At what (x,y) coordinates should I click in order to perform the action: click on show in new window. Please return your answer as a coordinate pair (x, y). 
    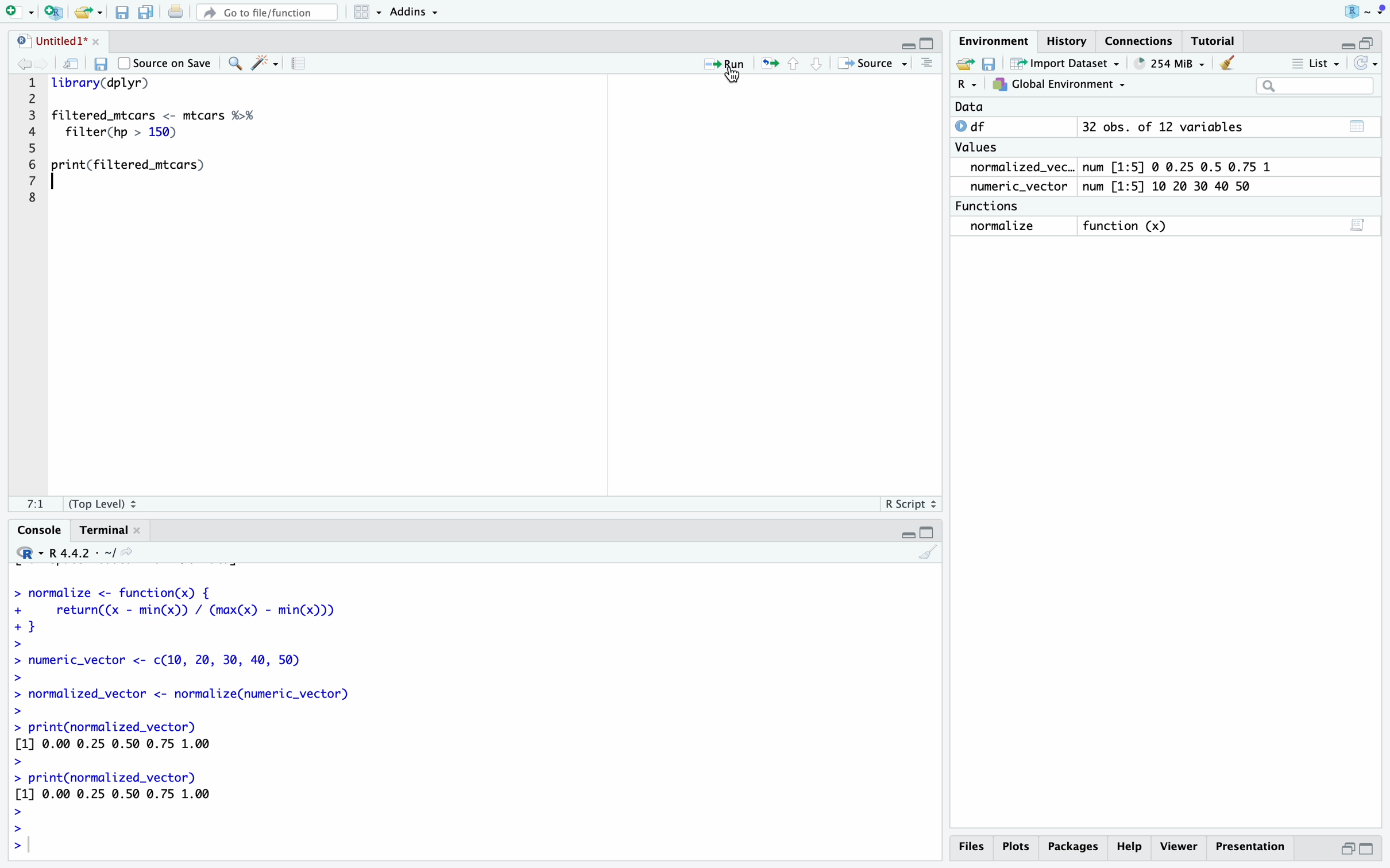
    Looking at the image, I should click on (69, 64).